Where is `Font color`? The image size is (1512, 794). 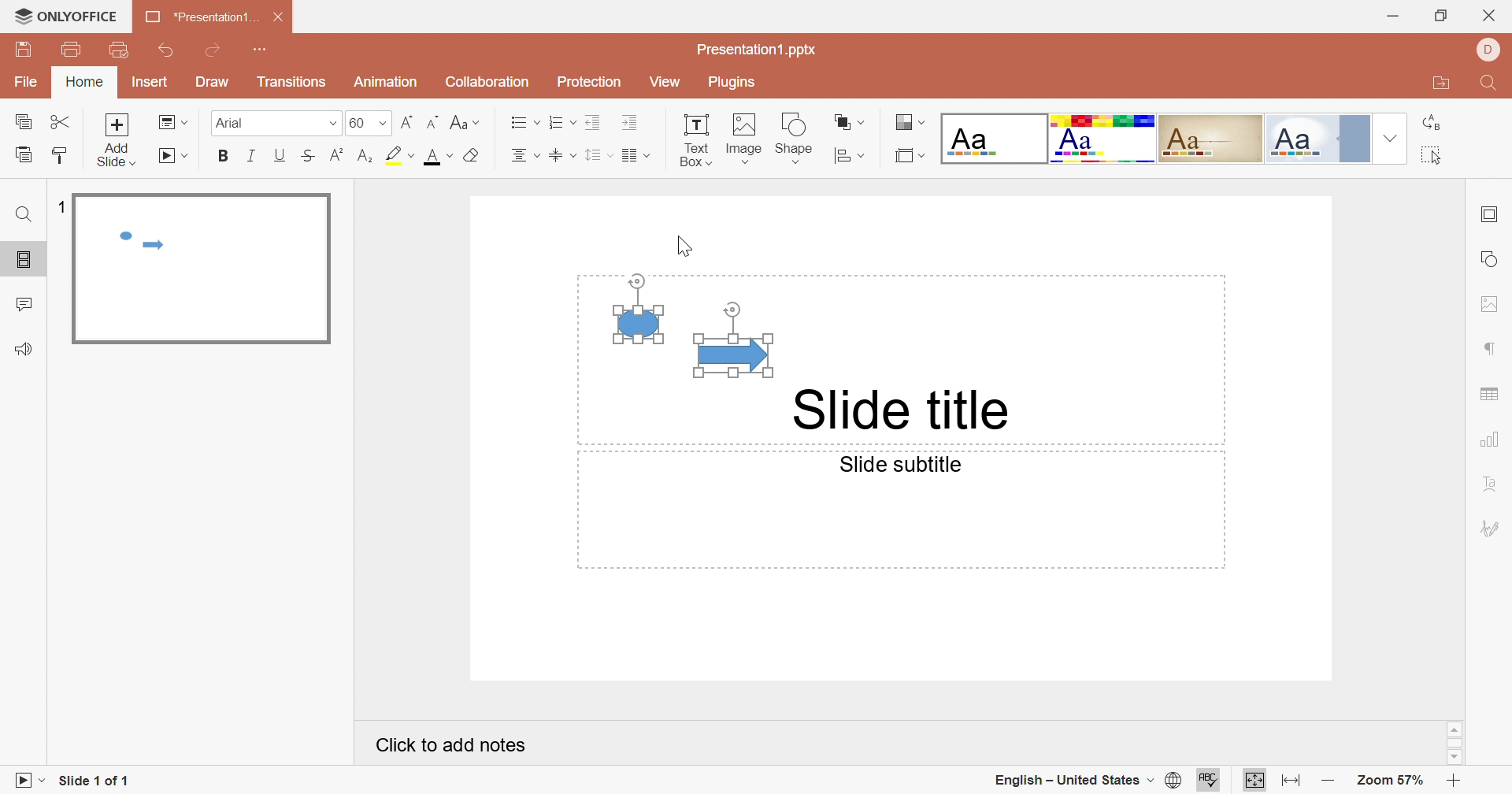
Font color is located at coordinates (438, 157).